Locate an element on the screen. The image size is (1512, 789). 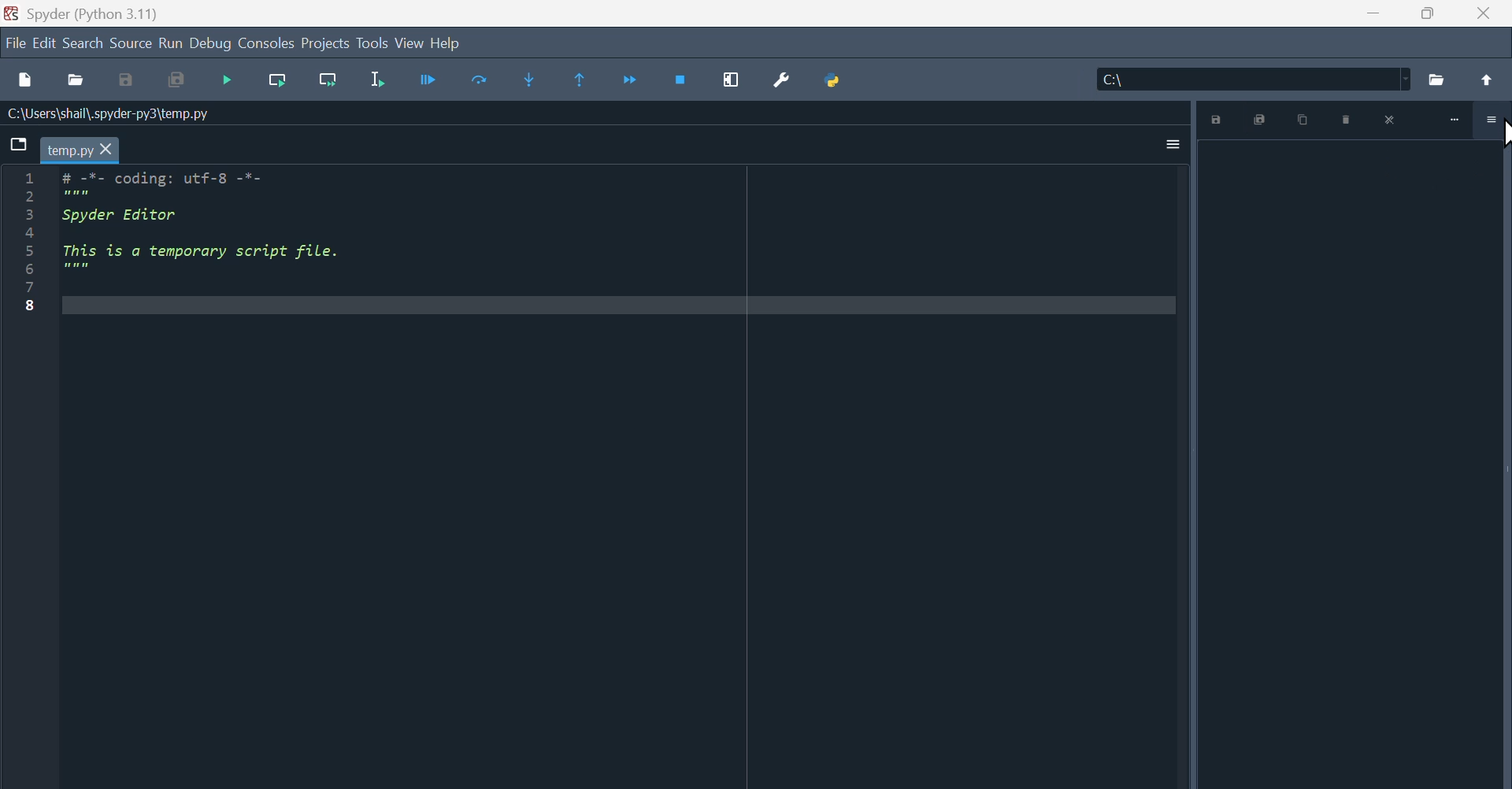
Browse tabs is located at coordinates (14, 148).